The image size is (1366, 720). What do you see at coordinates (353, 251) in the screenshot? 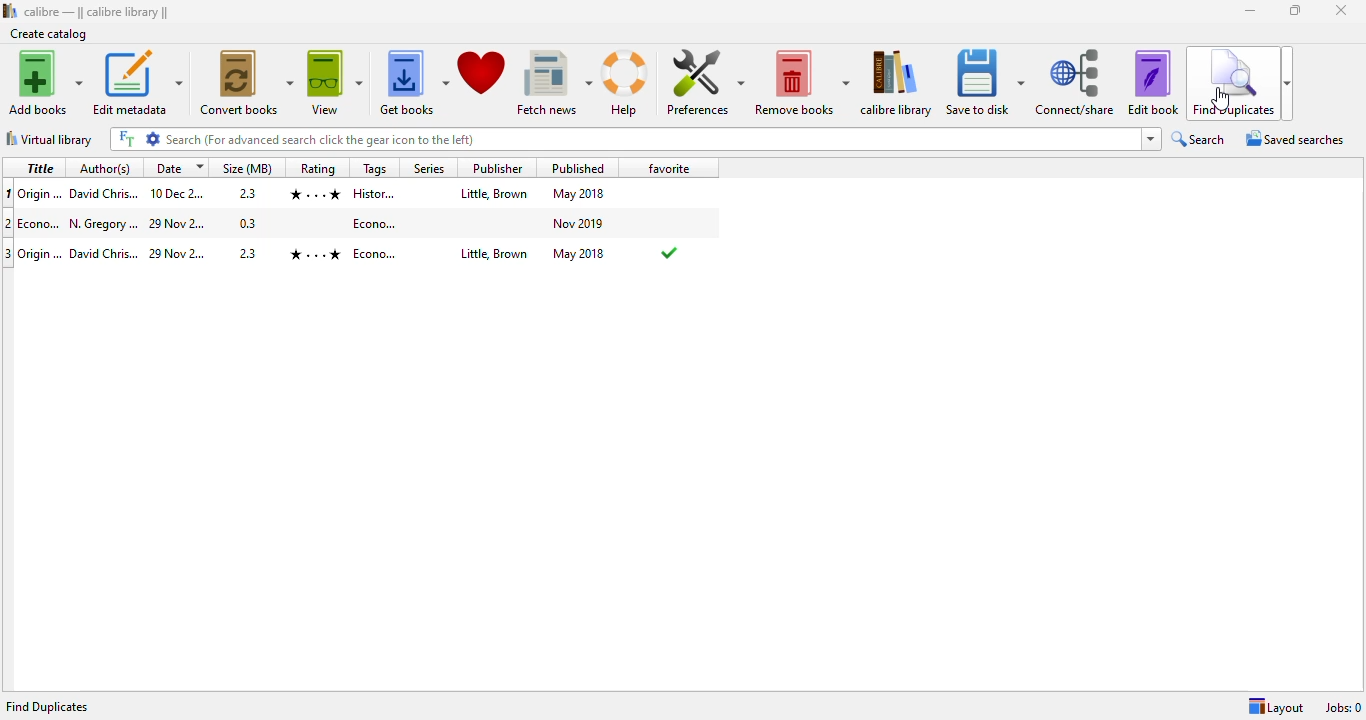
I see `origin...Origin...David Chris...29 Dec 2...2.3 History... Little, Brown May 2018` at bounding box center [353, 251].